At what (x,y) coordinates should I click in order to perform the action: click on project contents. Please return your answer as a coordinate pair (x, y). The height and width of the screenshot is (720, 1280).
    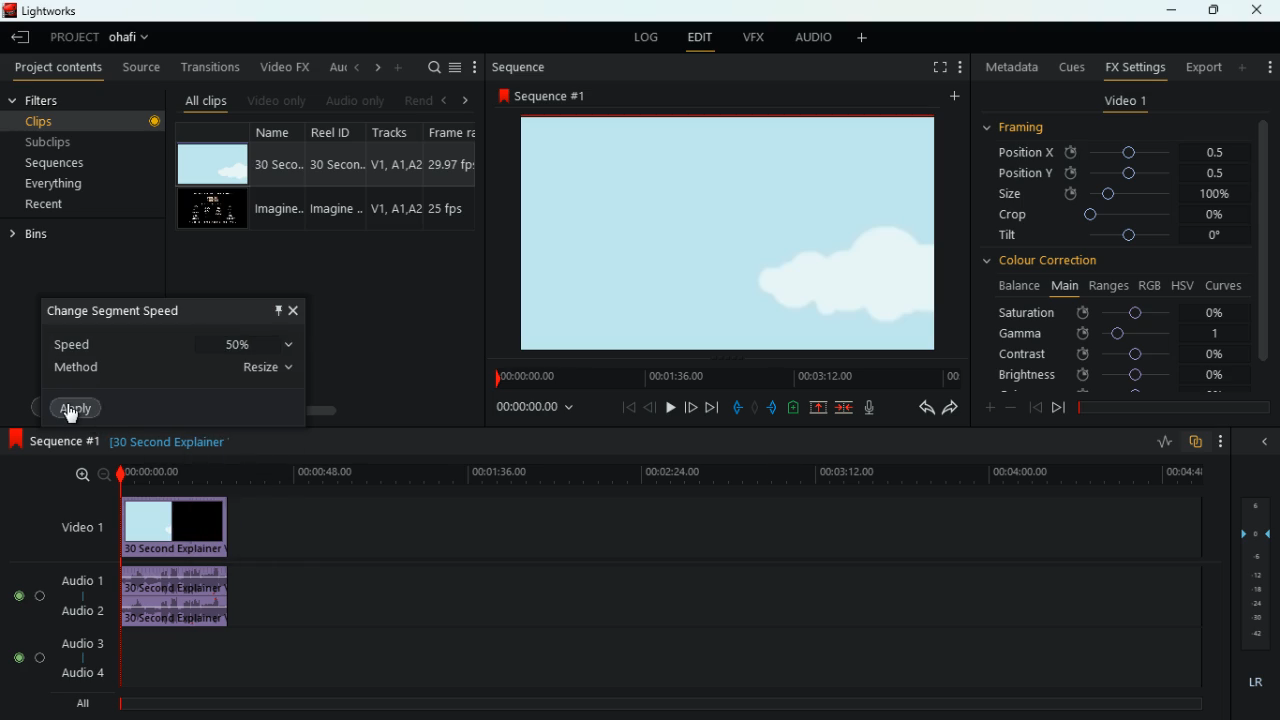
    Looking at the image, I should click on (56, 69).